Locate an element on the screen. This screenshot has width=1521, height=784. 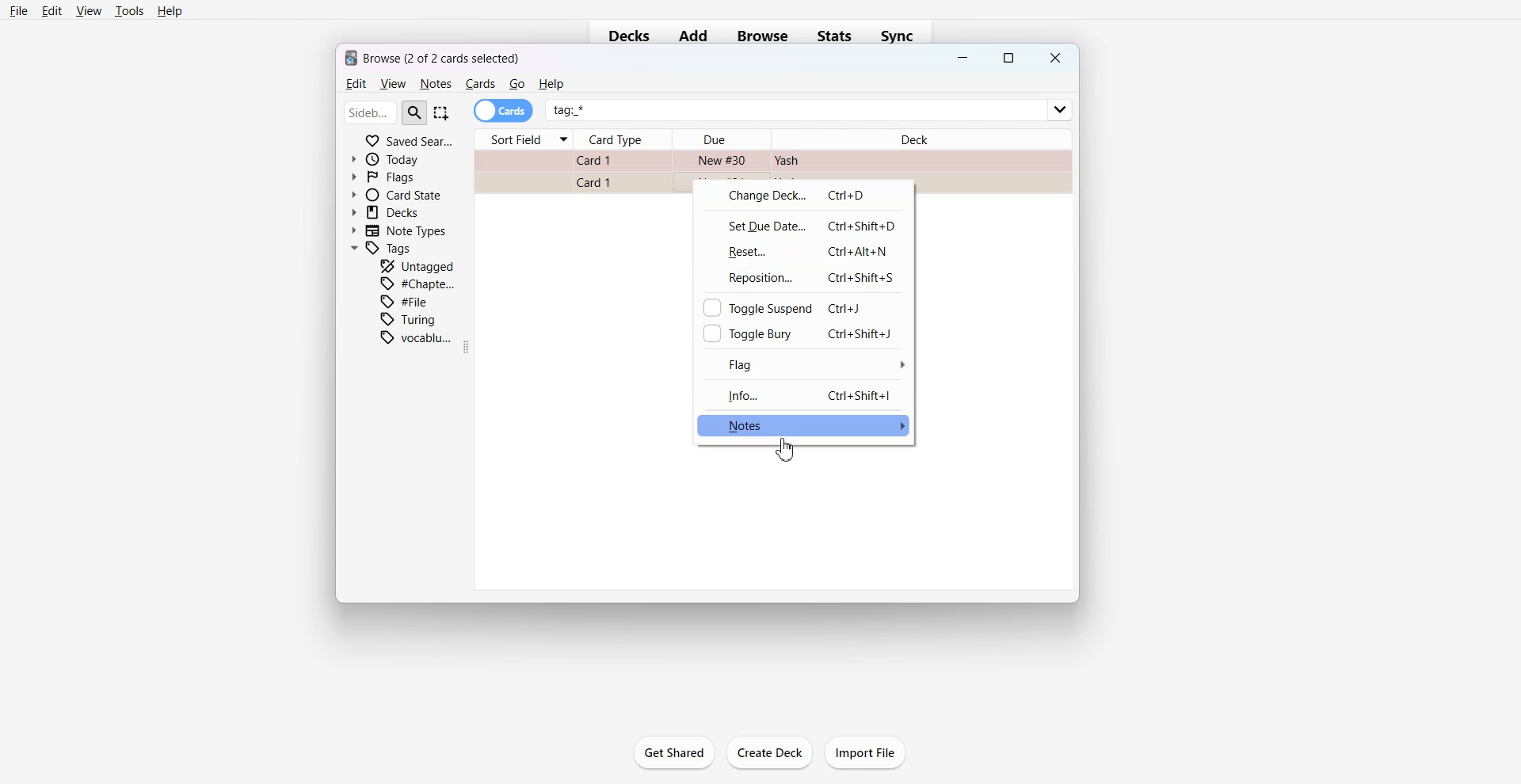
Notes is located at coordinates (435, 84).